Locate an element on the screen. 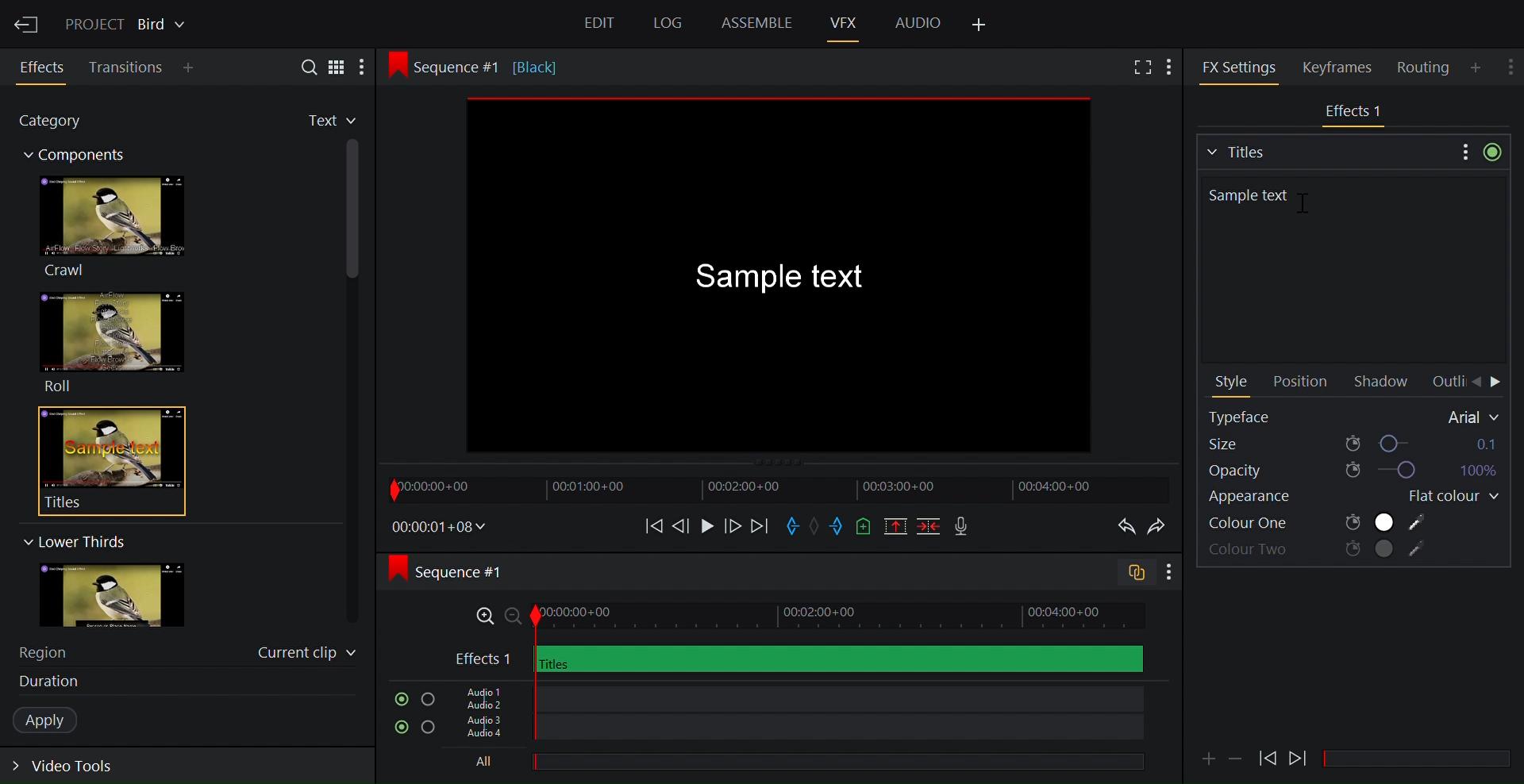 The height and width of the screenshot is (784, 1524). Solo this track is located at coordinates (429, 729).